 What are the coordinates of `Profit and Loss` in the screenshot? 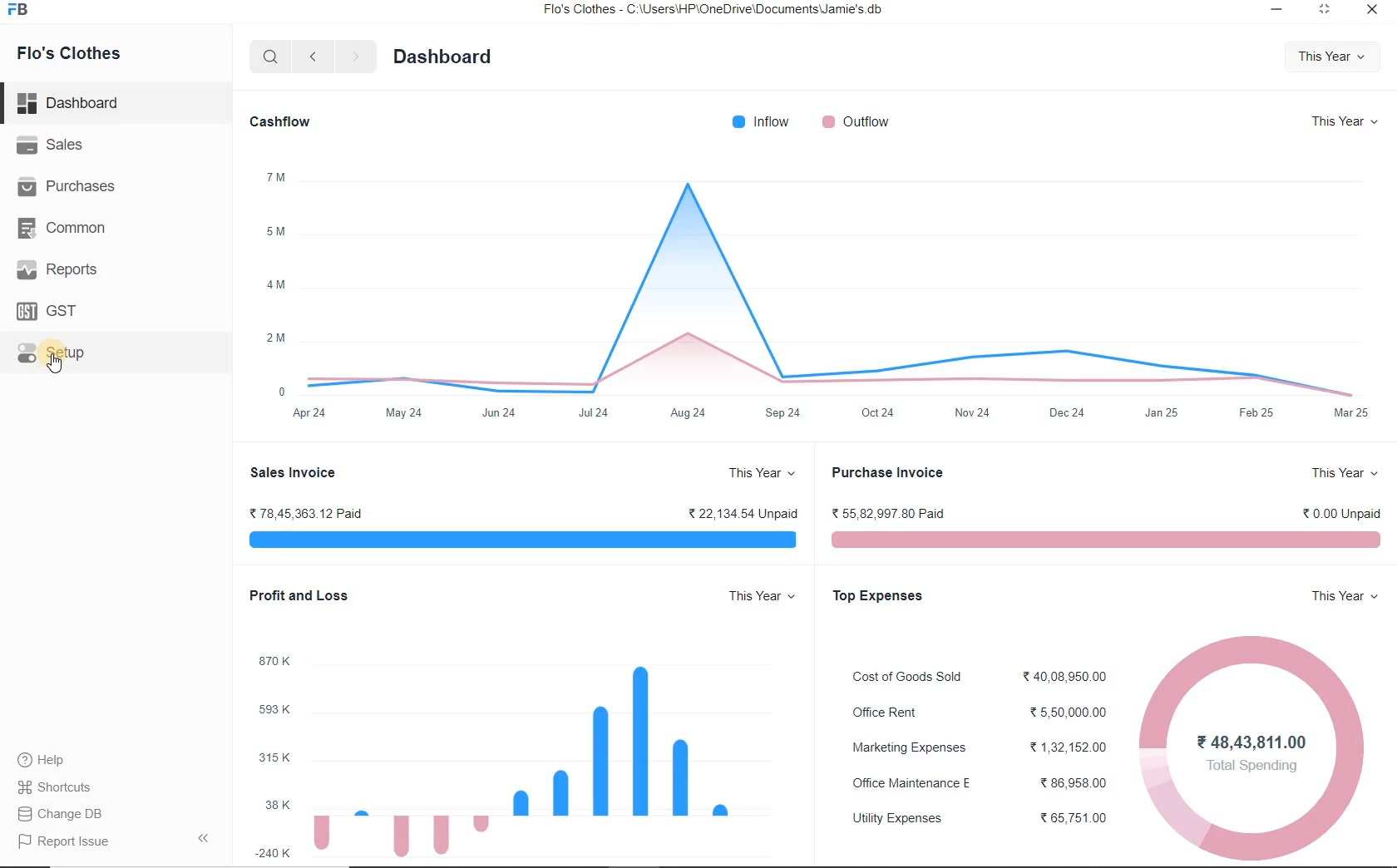 It's located at (299, 595).